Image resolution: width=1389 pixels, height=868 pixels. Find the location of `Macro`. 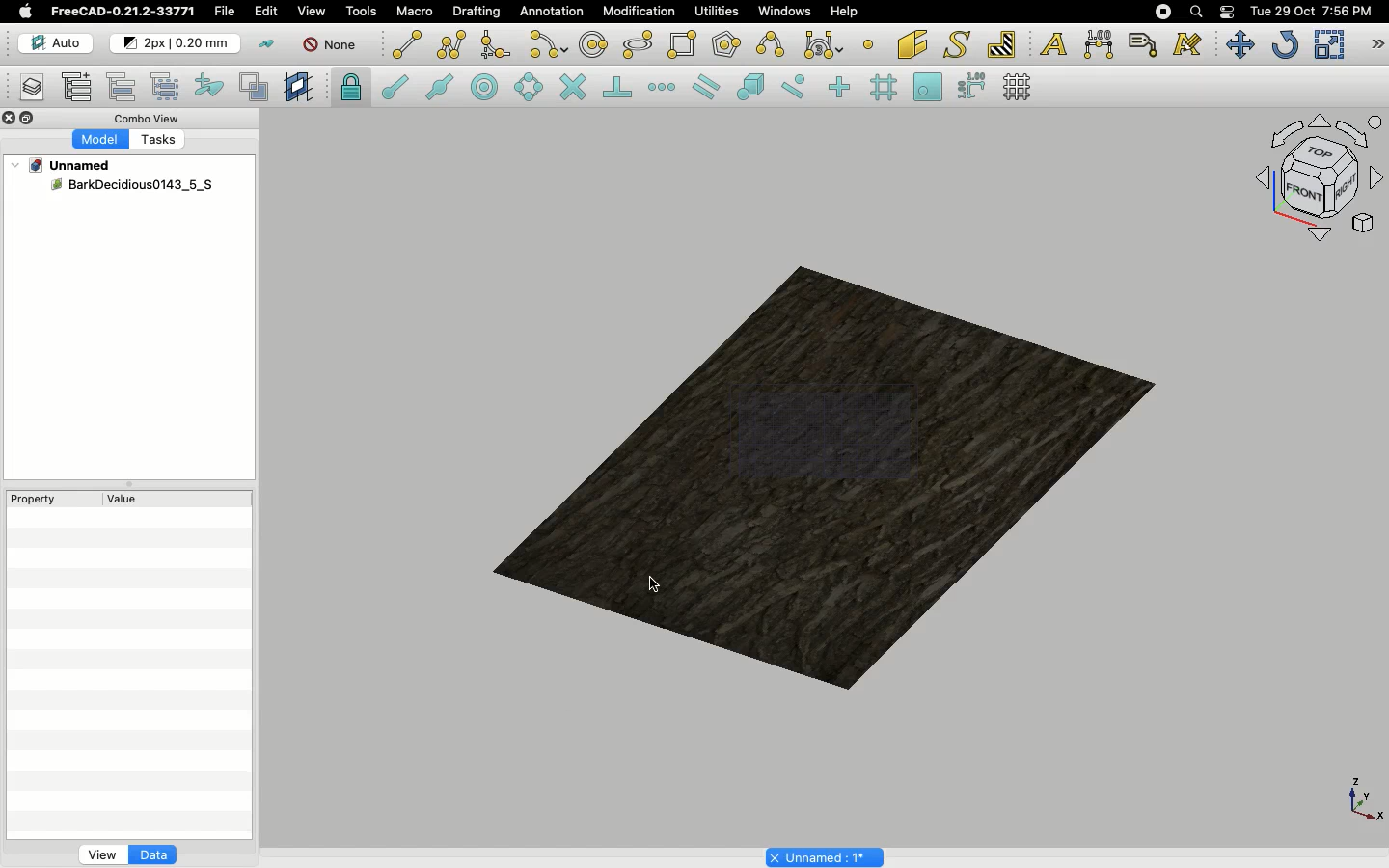

Macro is located at coordinates (416, 12).